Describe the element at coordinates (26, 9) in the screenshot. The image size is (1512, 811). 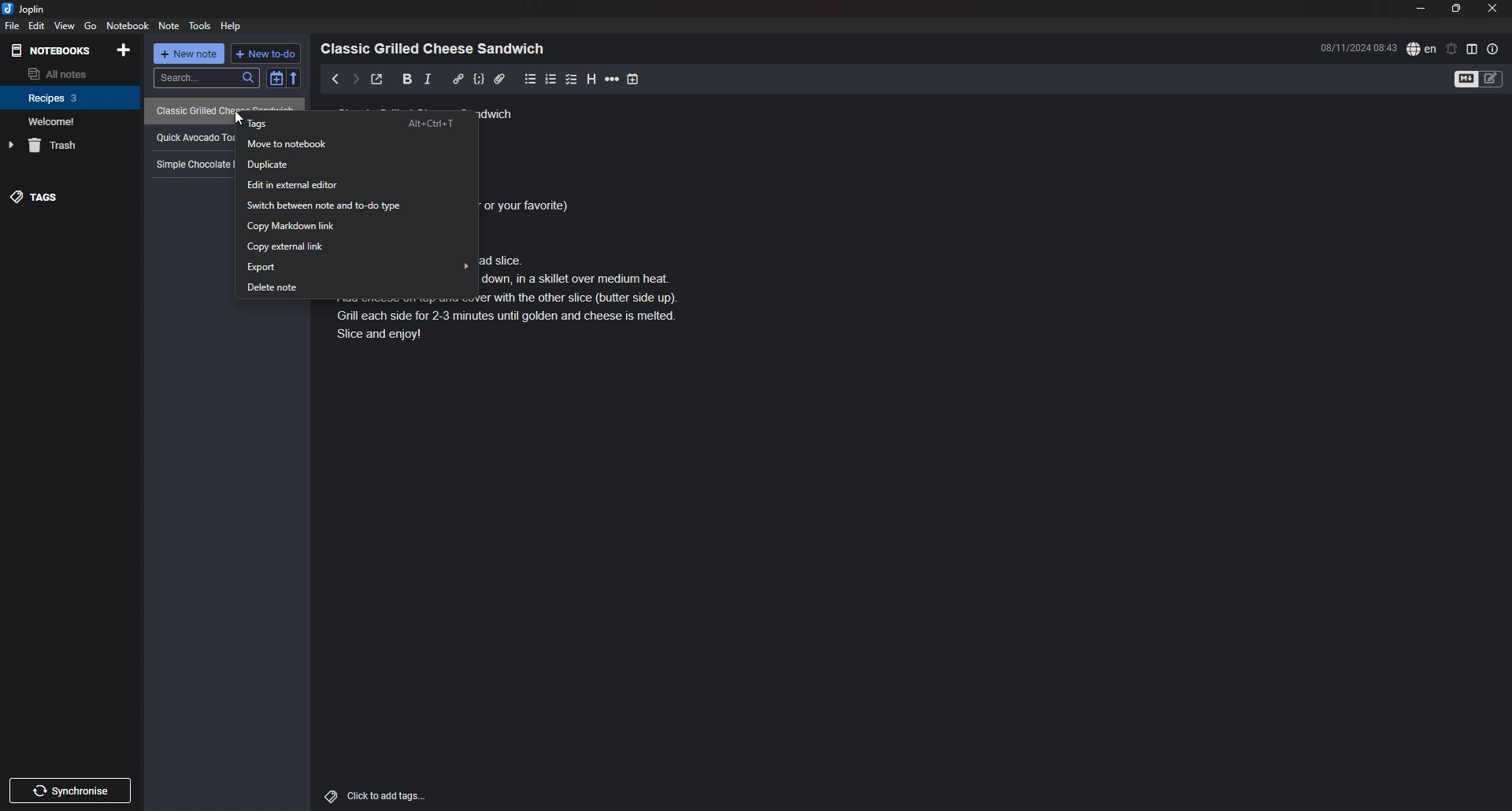
I see `joplin` at that location.